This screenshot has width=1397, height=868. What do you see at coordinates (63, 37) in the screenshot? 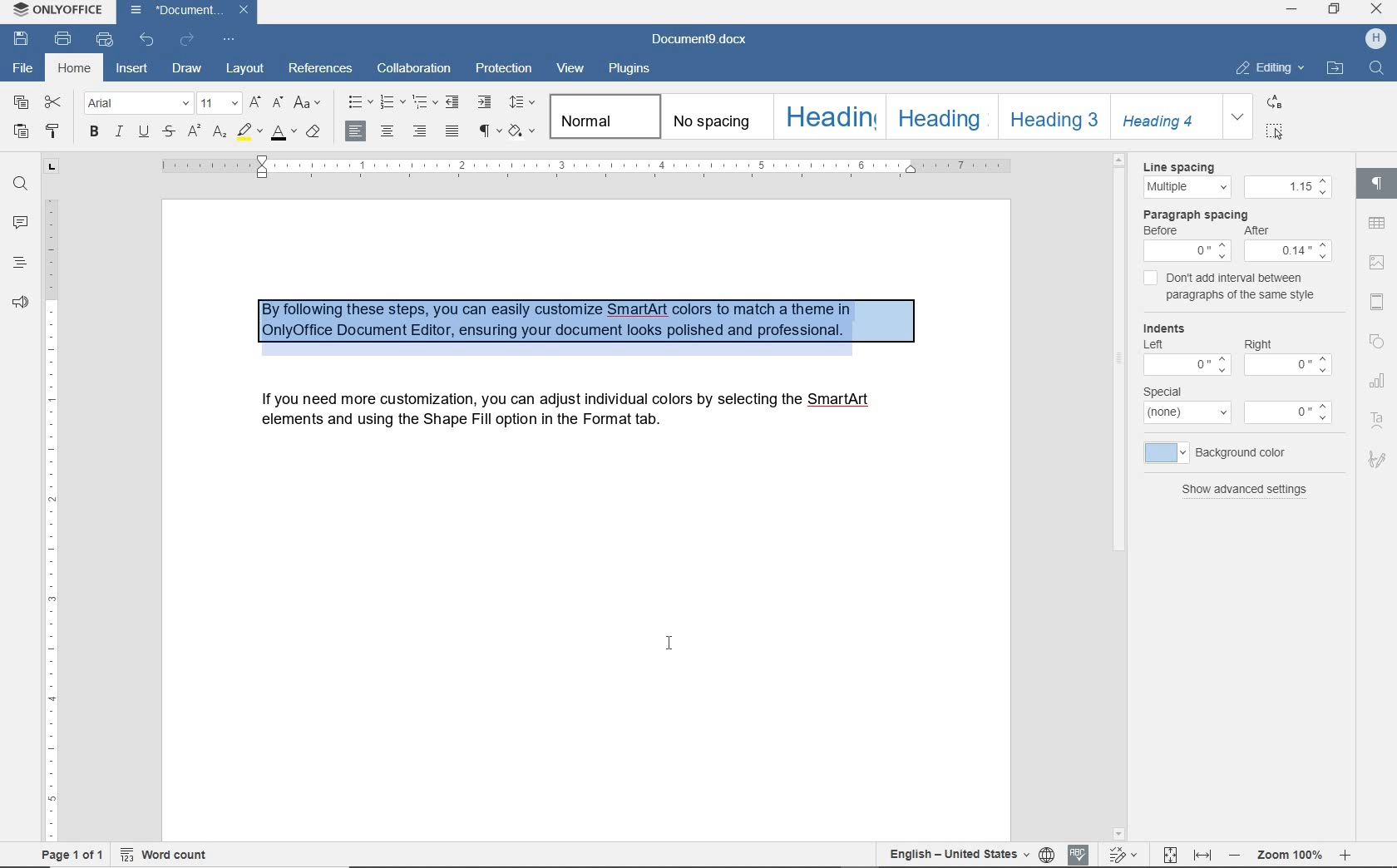
I see `print` at bounding box center [63, 37].